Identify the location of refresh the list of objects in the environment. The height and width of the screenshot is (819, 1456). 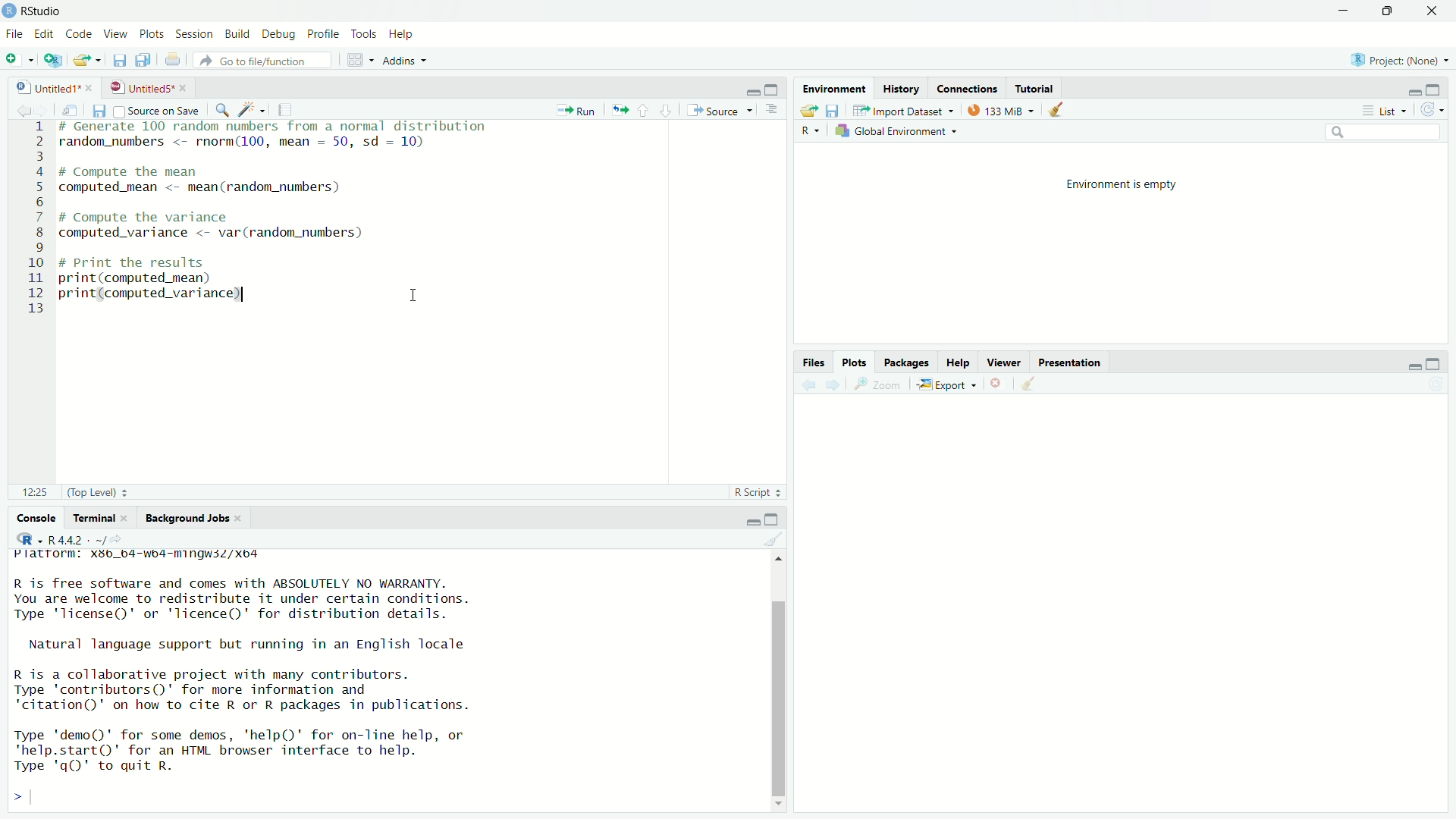
(1437, 110).